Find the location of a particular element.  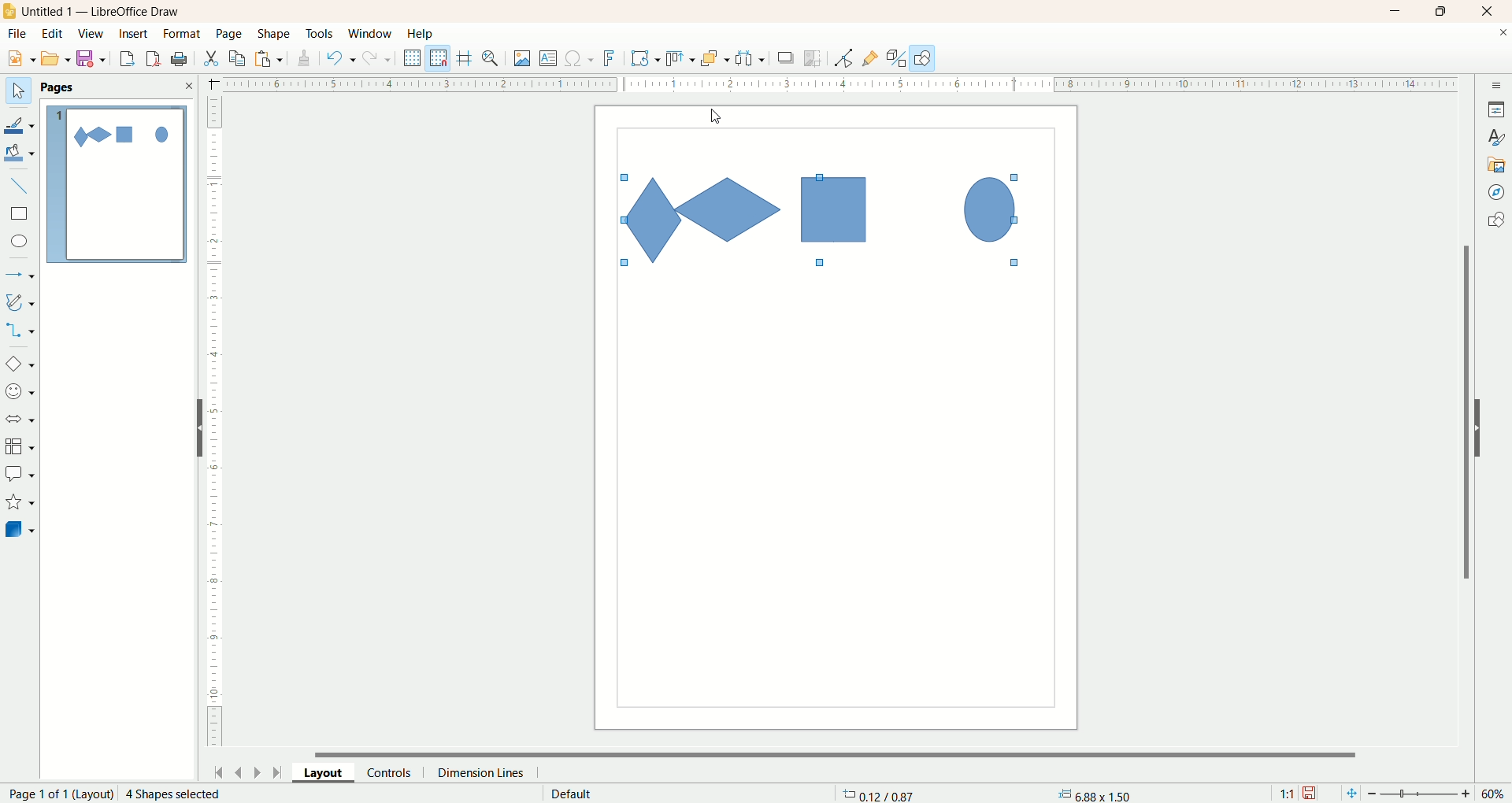

display grid is located at coordinates (413, 57).